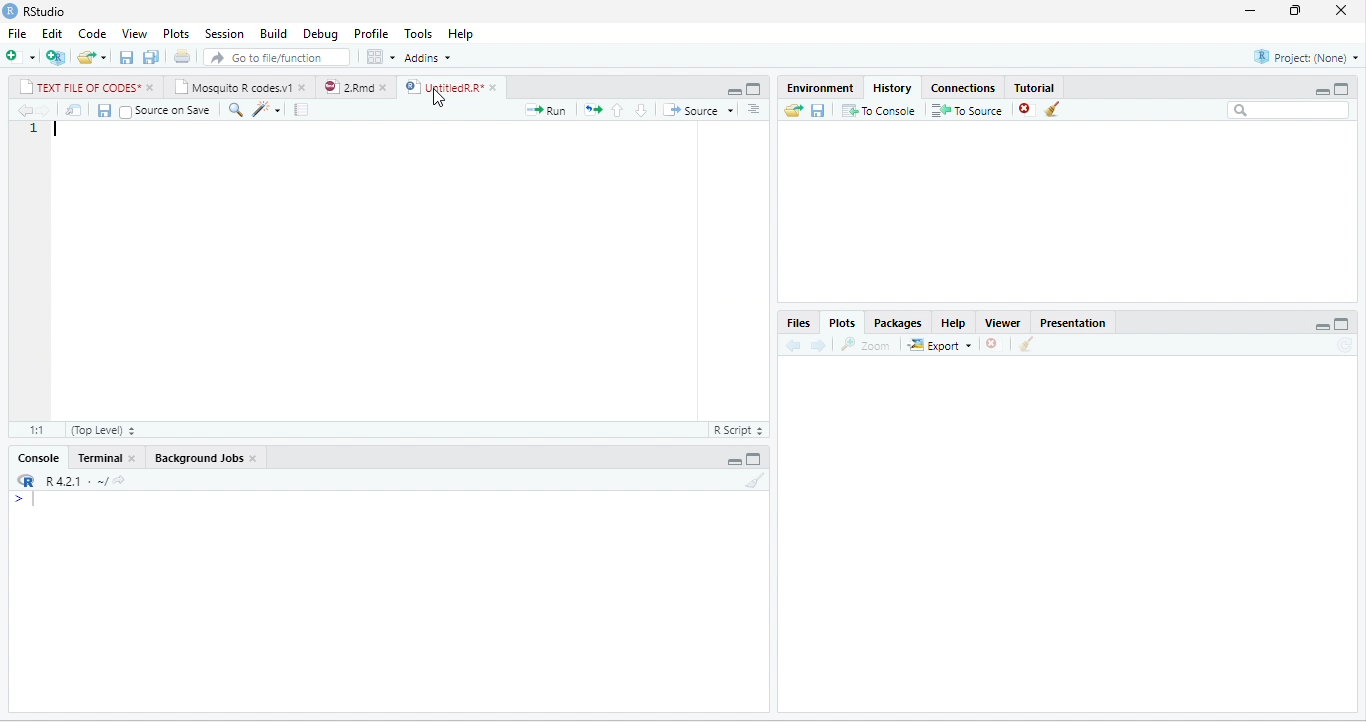 This screenshot has height=722, width=1366. Describe the element at coordinates (197, 457) in the screenshot. I see `Background Jobs` at that location.